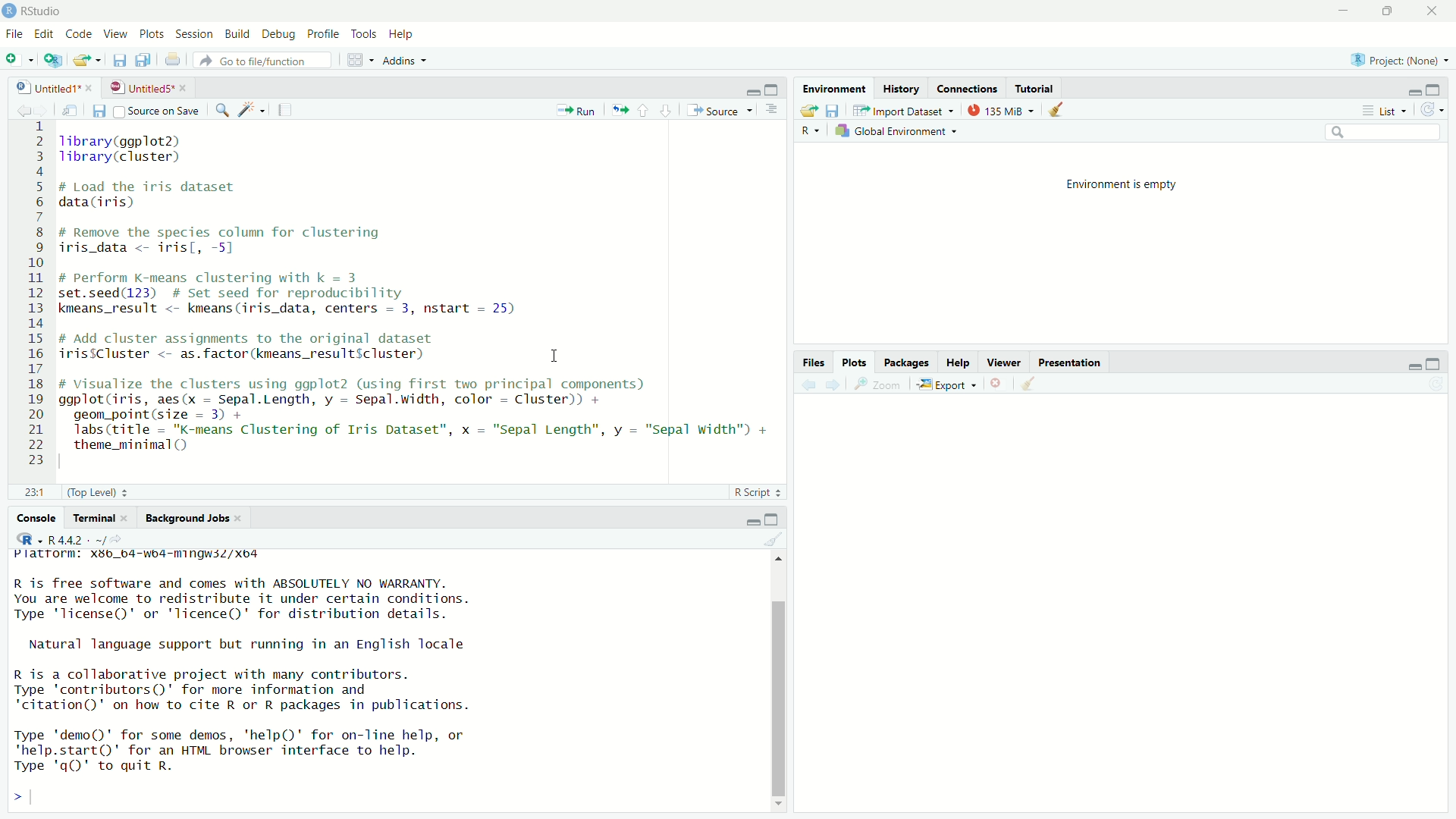  I want to click on find/replace, so click(218, 110).